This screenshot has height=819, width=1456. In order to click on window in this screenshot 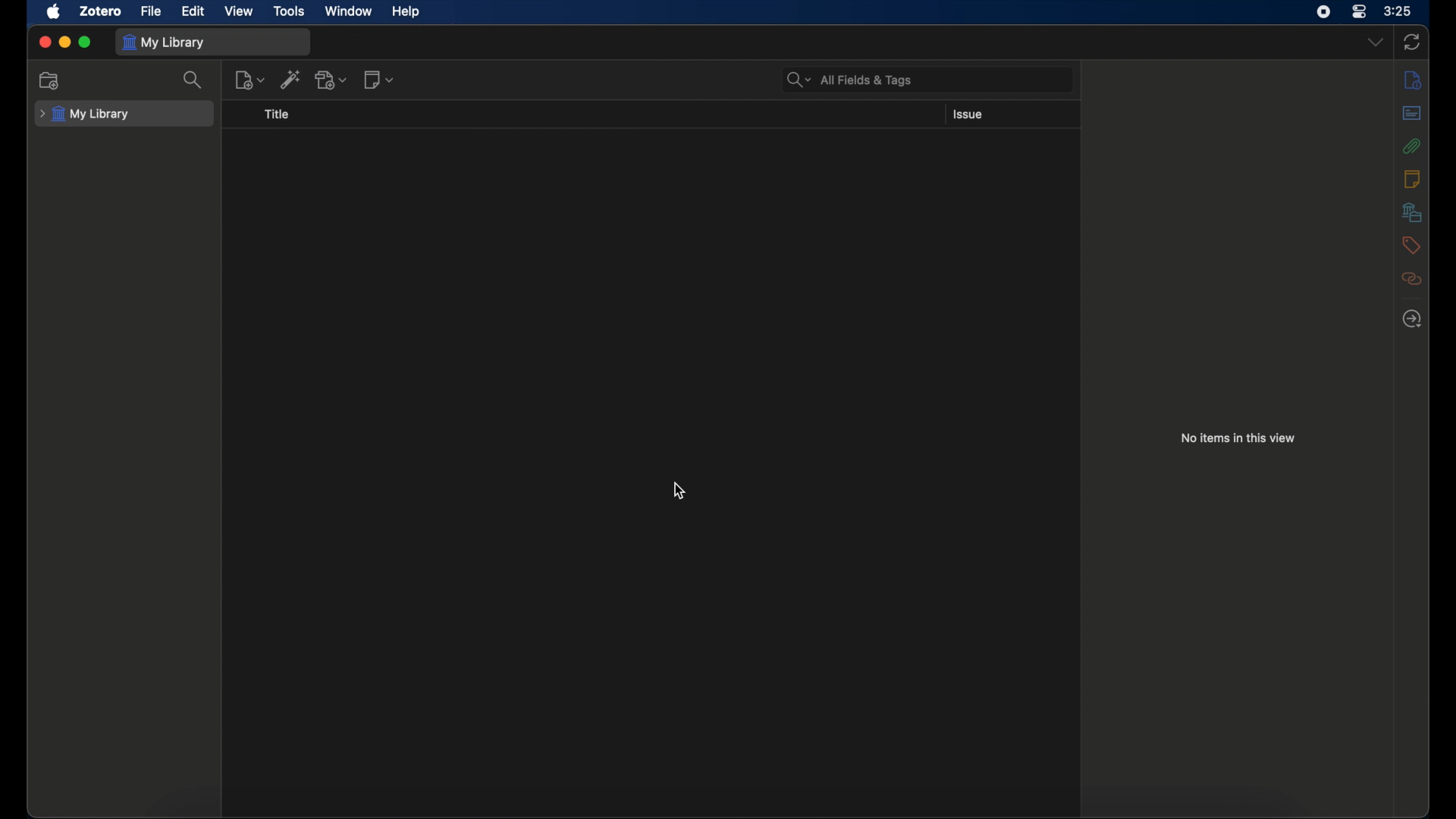, I will do `click(347, 10)`.